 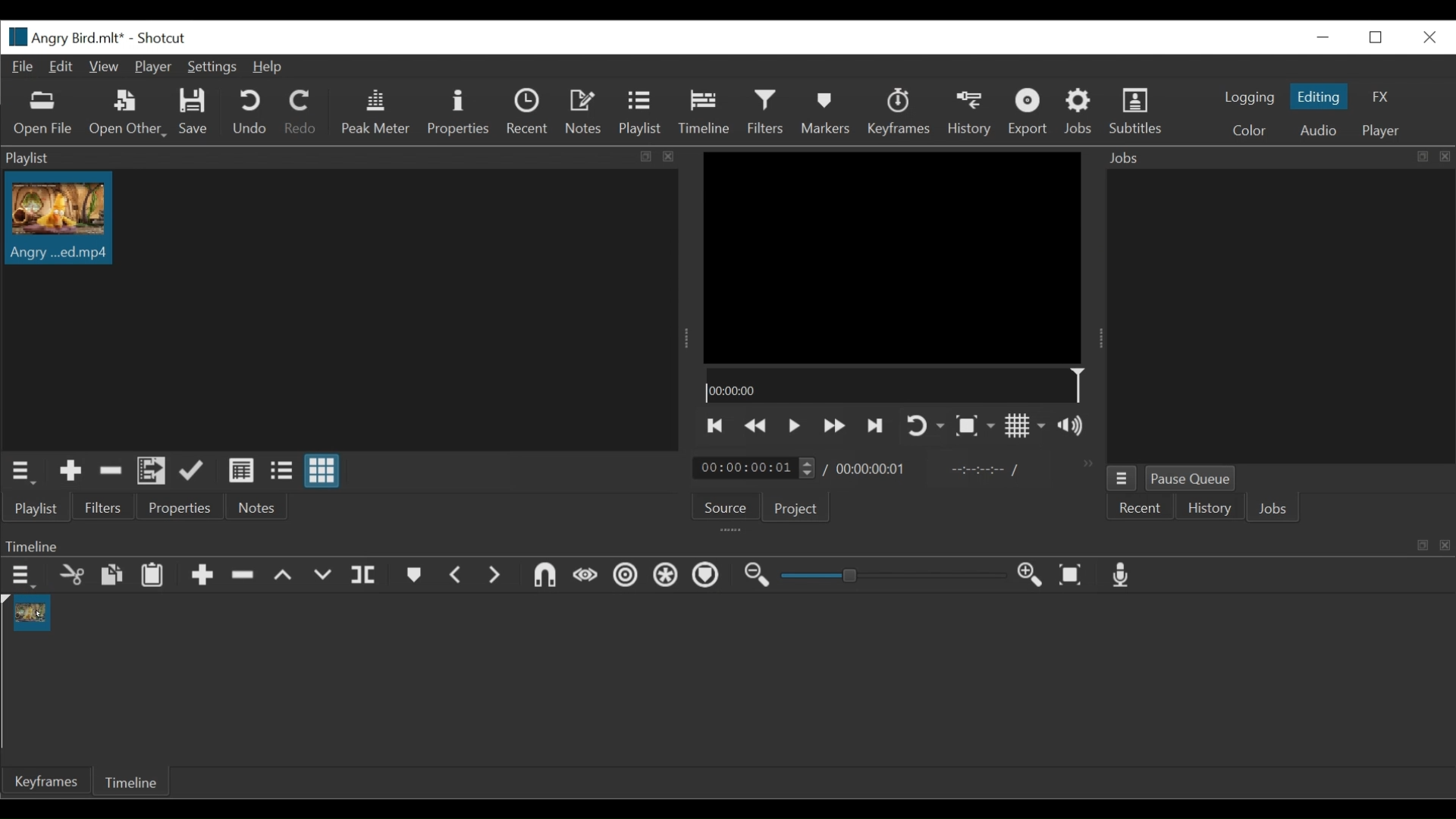 I want to click on Timeline Panel, so click(x=729, y=544).